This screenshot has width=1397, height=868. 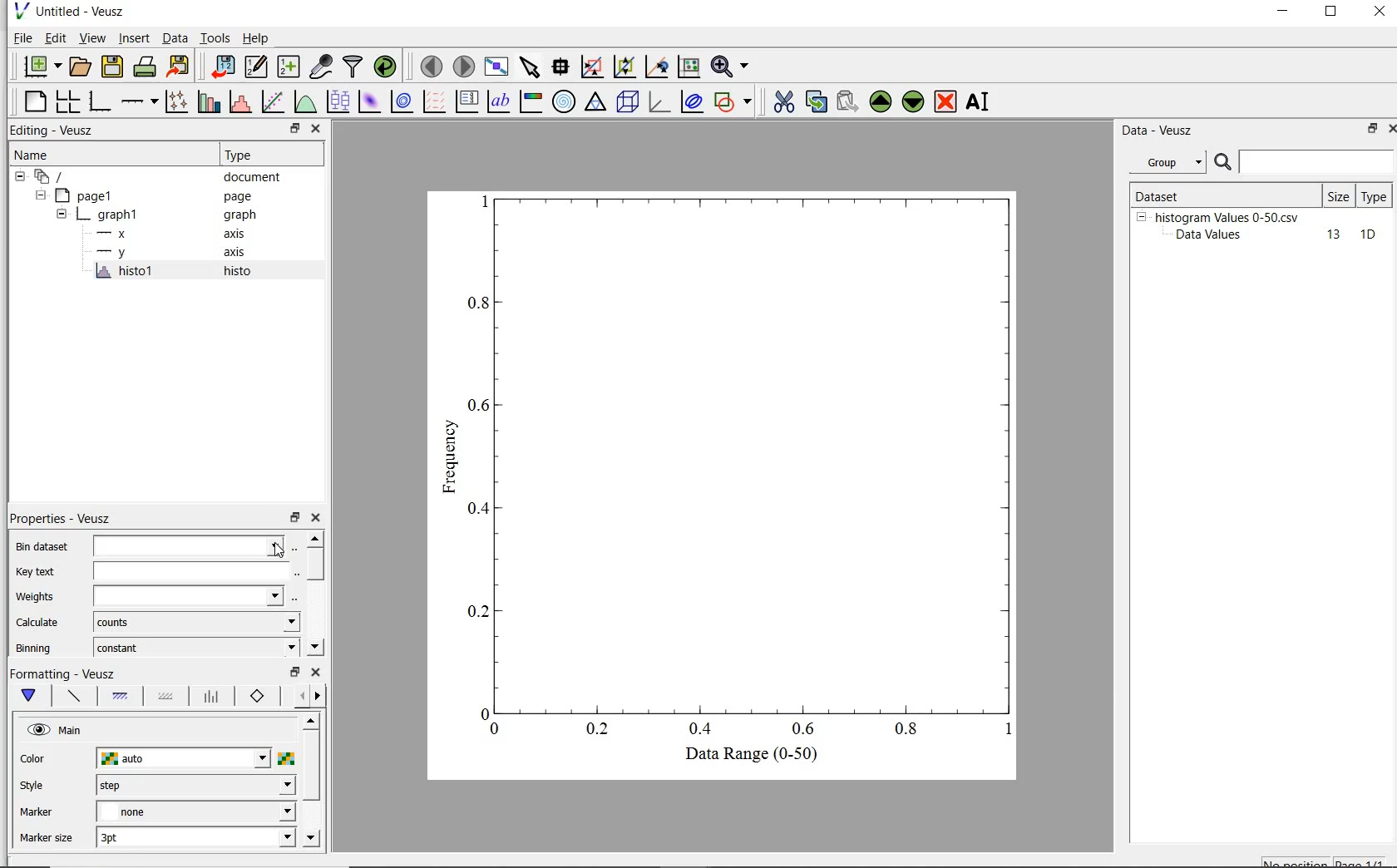 I want to click on input weights, so click(x=188, y=597).